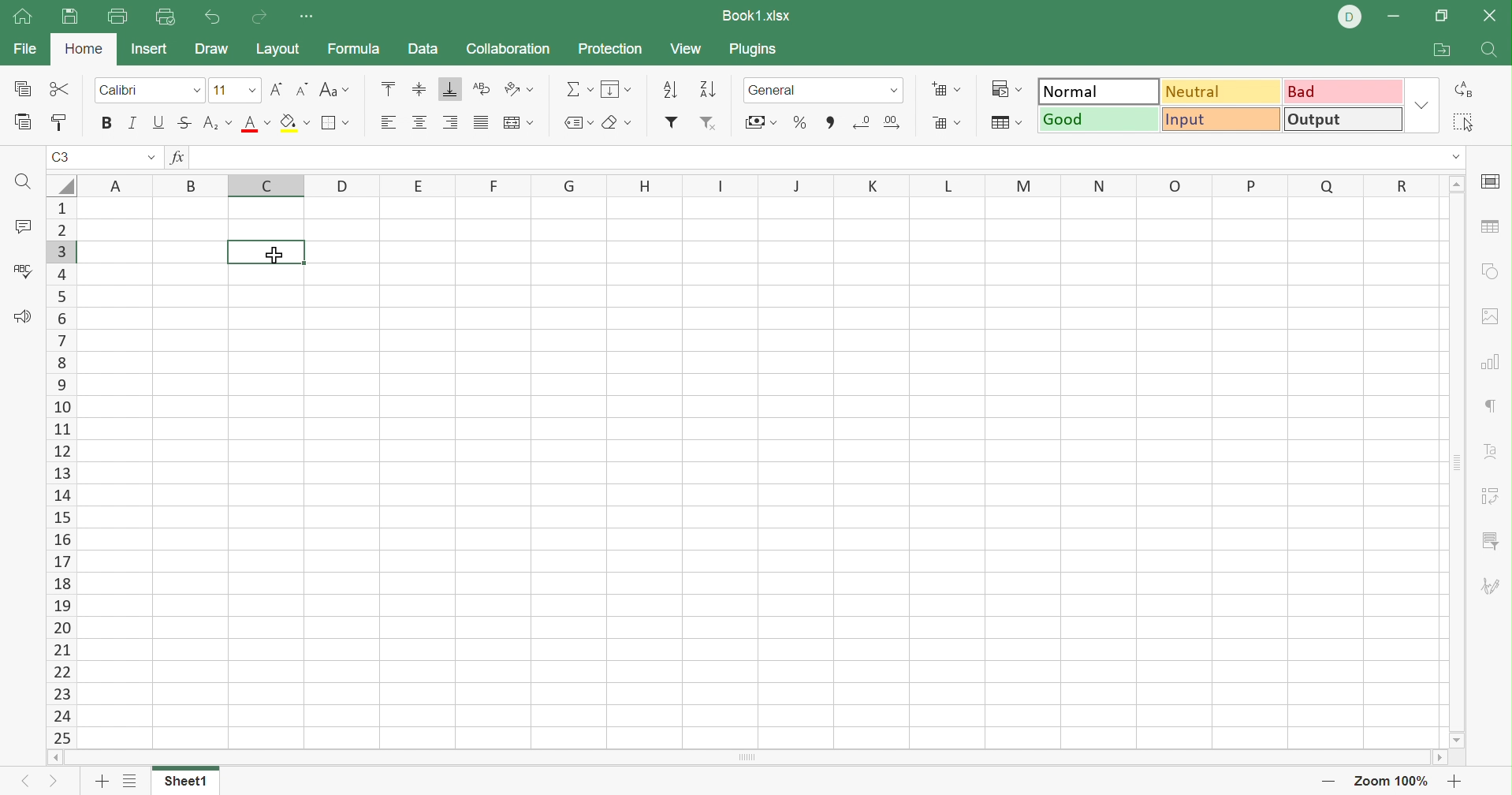 This screenshot has height=795, width=1512. I want to click on Row numbers, so click(59, 472).